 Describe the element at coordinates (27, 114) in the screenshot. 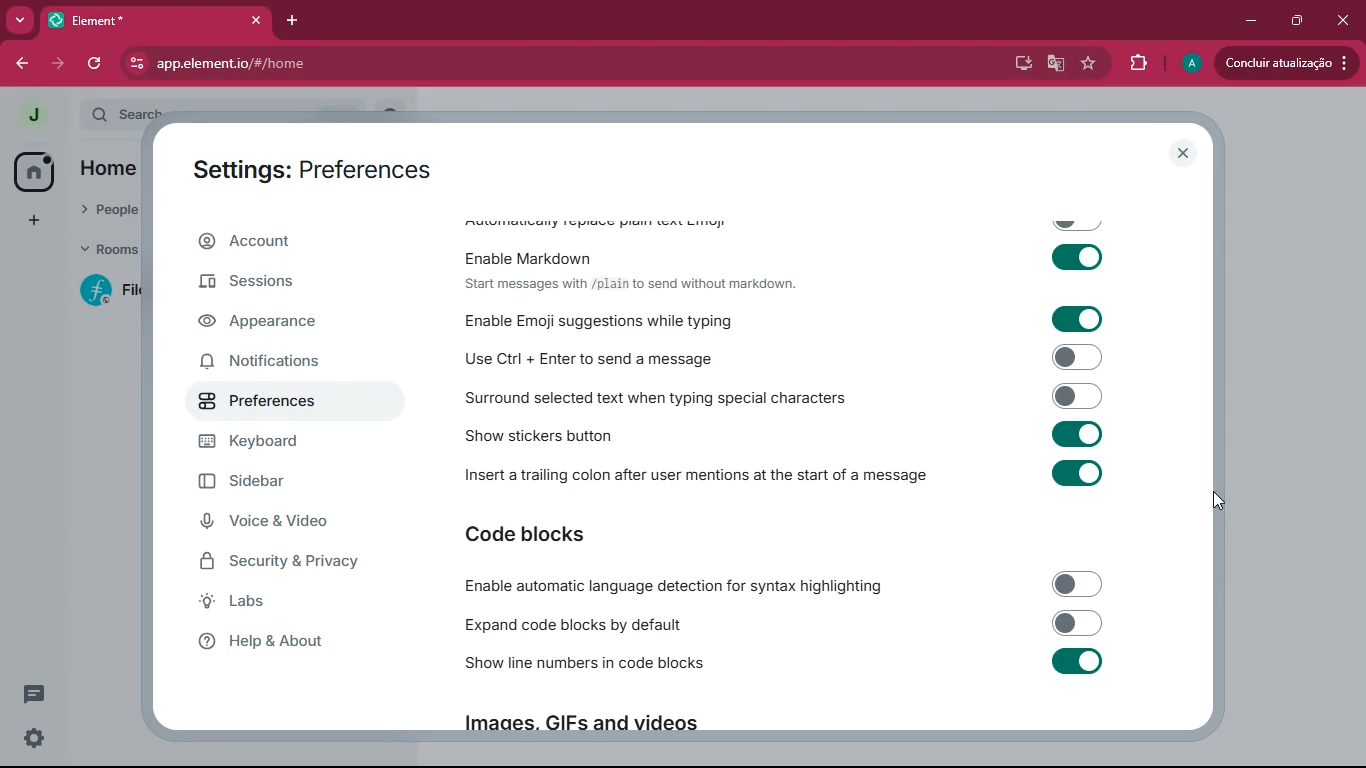

I see `profile picture` at that location.